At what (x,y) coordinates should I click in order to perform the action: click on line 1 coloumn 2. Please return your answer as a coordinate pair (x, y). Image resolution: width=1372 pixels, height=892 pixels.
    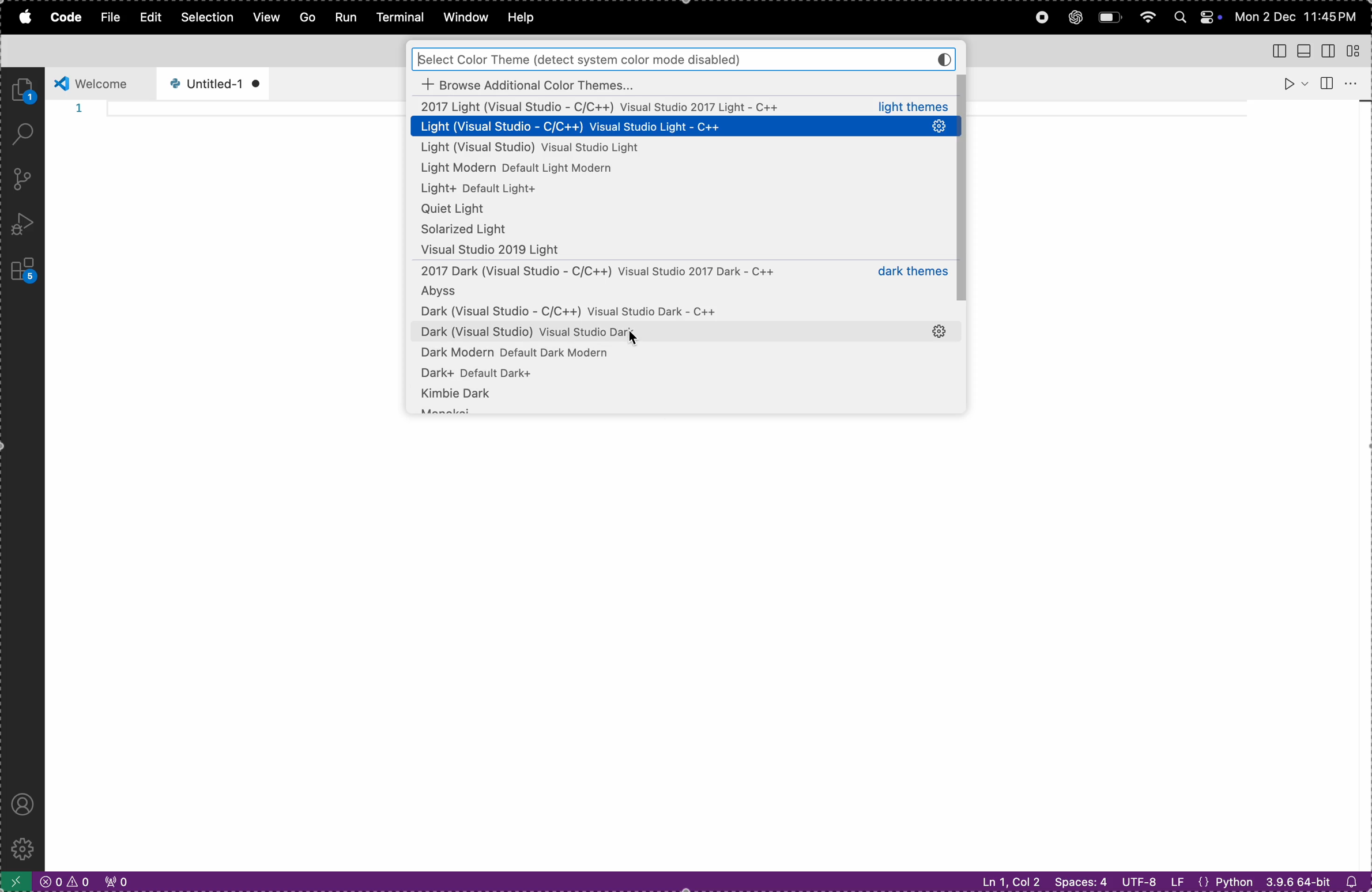
    Looking at the image, I should click on (1007, 882).